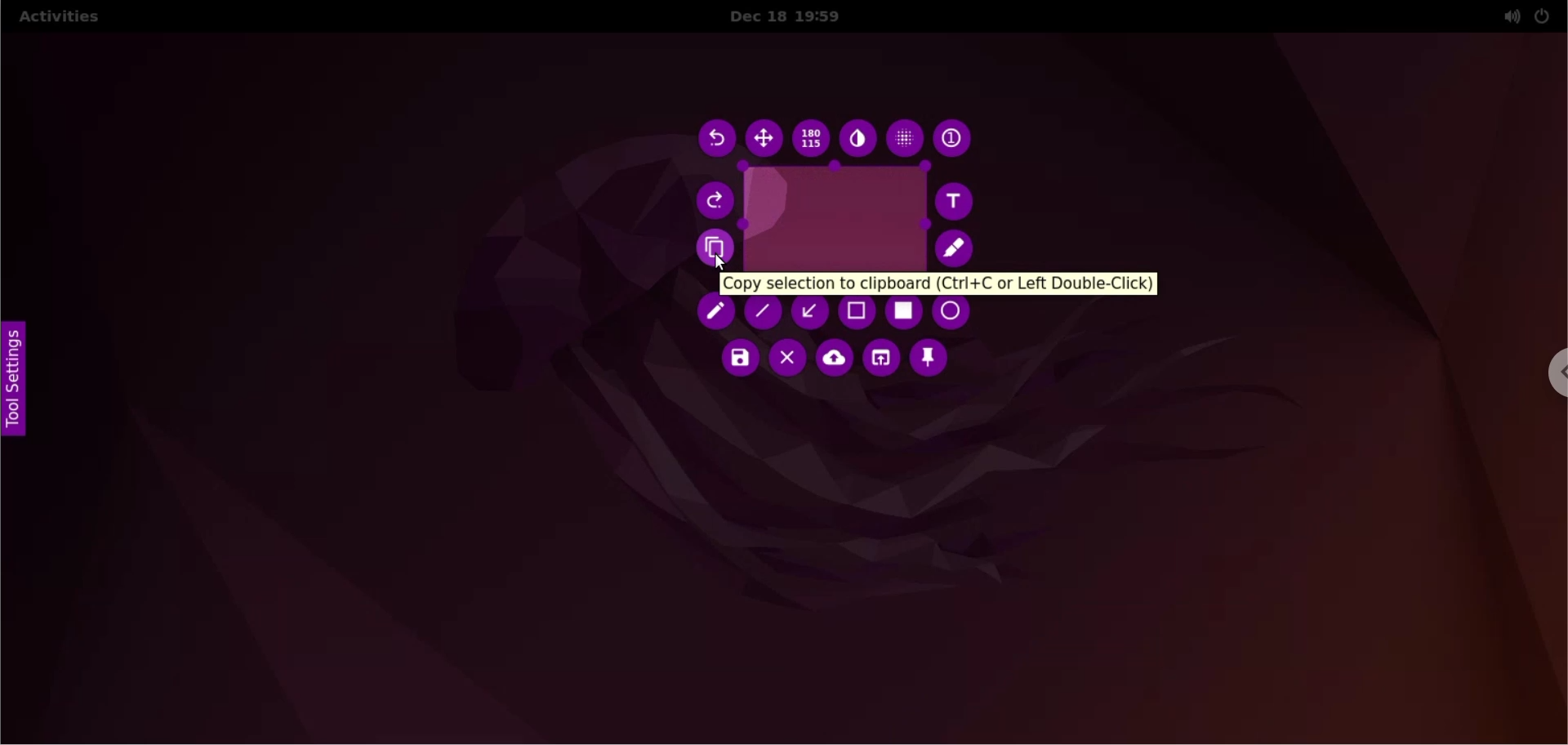  Describe the element at coordinates (959, 201) in the screenshot. I see `text` at that location.